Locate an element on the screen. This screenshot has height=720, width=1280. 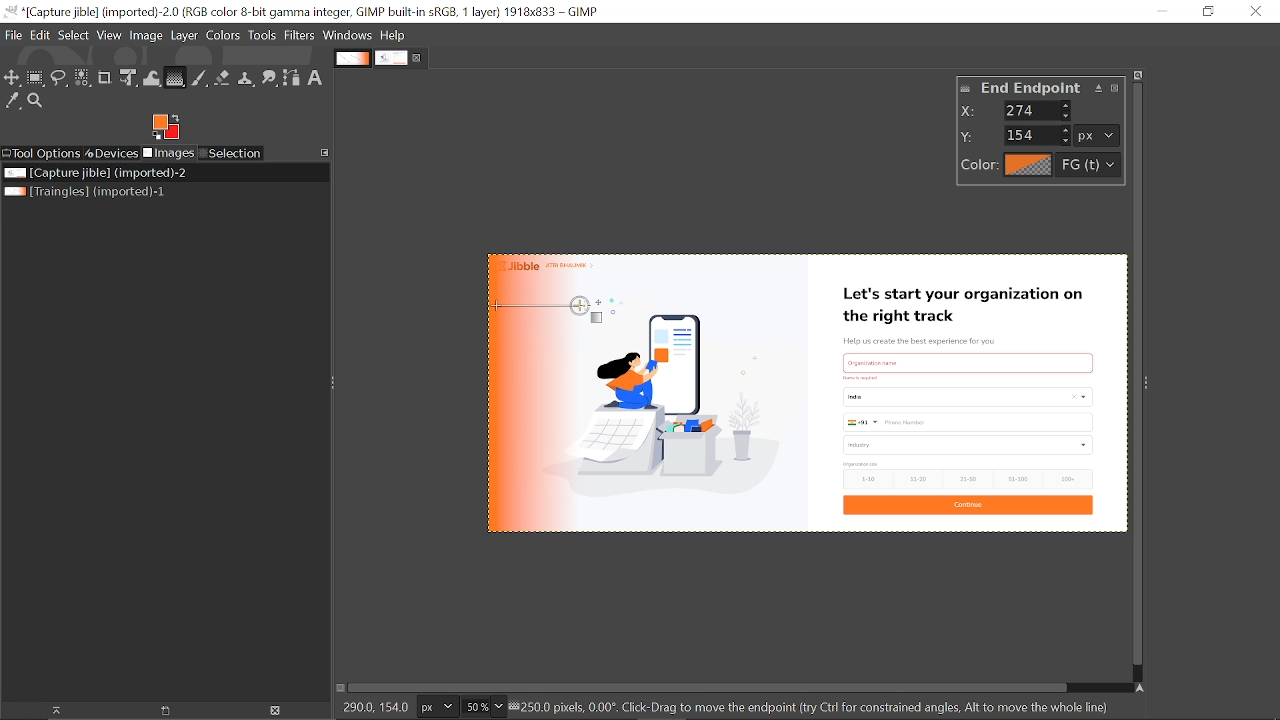
Current tab is located at coordinates (392, 58).